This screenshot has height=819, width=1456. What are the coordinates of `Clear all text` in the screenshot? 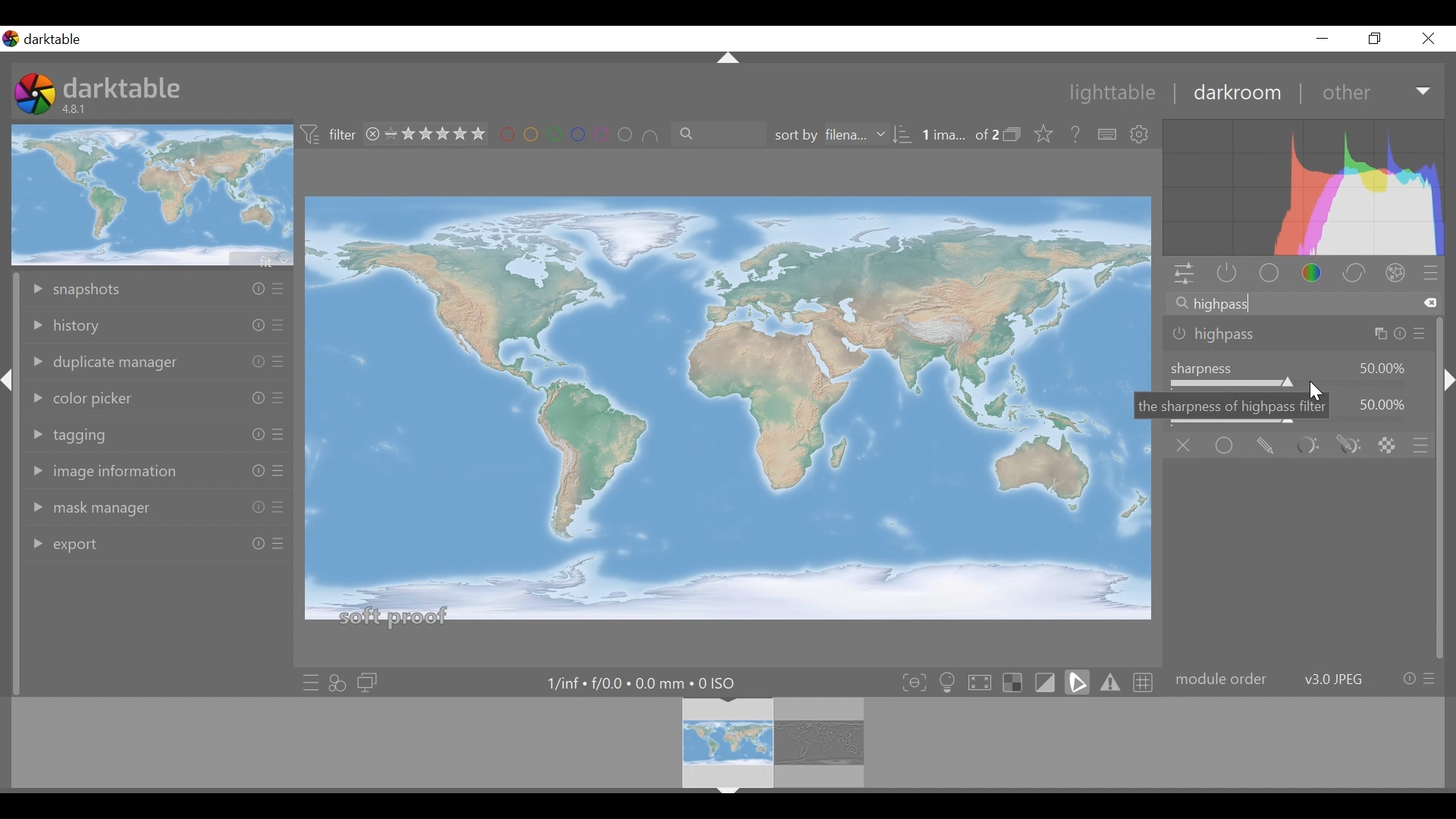 It's located at (1431, 303).